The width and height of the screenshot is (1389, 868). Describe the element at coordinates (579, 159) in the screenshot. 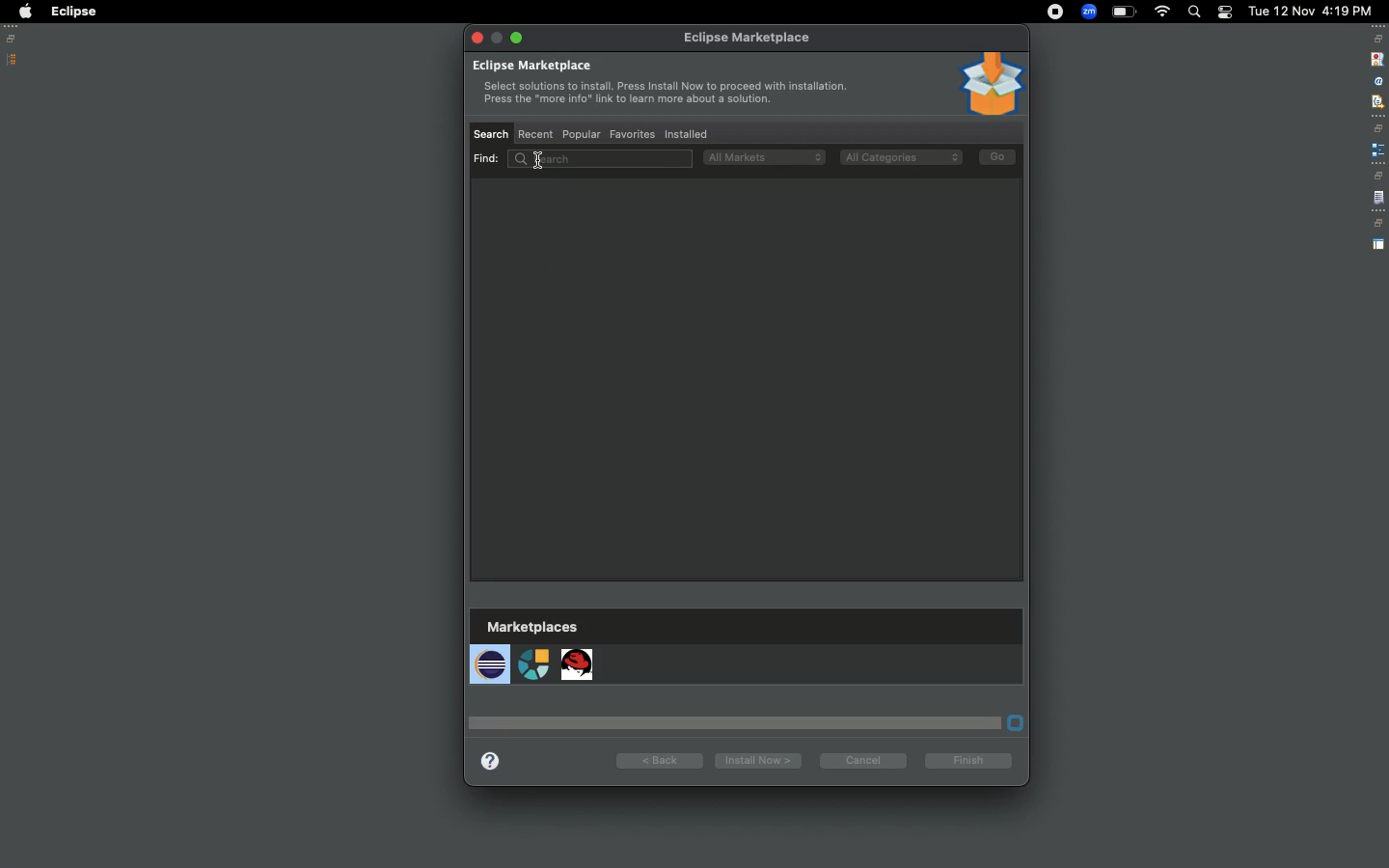

I see `Find` at that location.